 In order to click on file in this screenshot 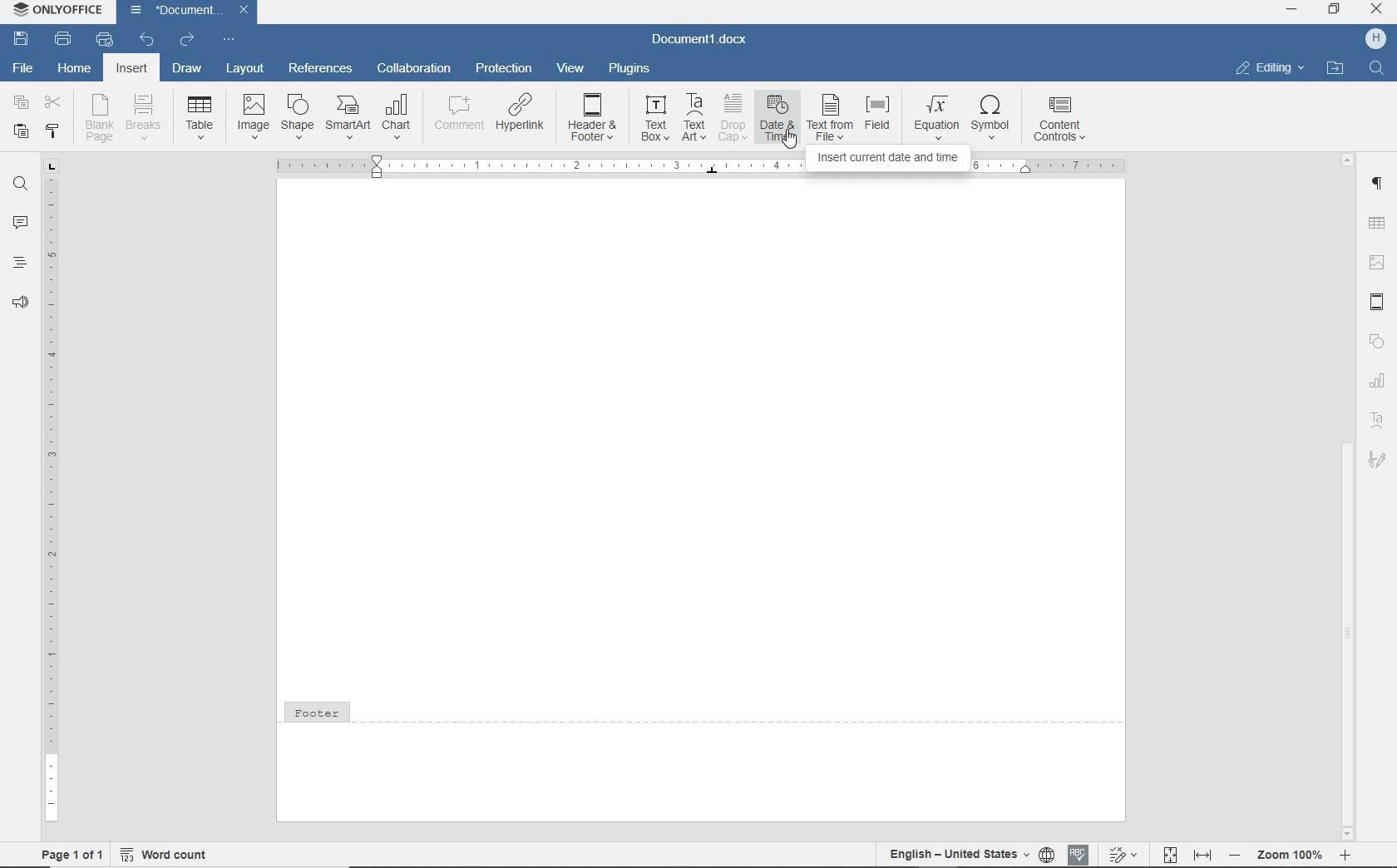, I will do `click(24, 69)`.